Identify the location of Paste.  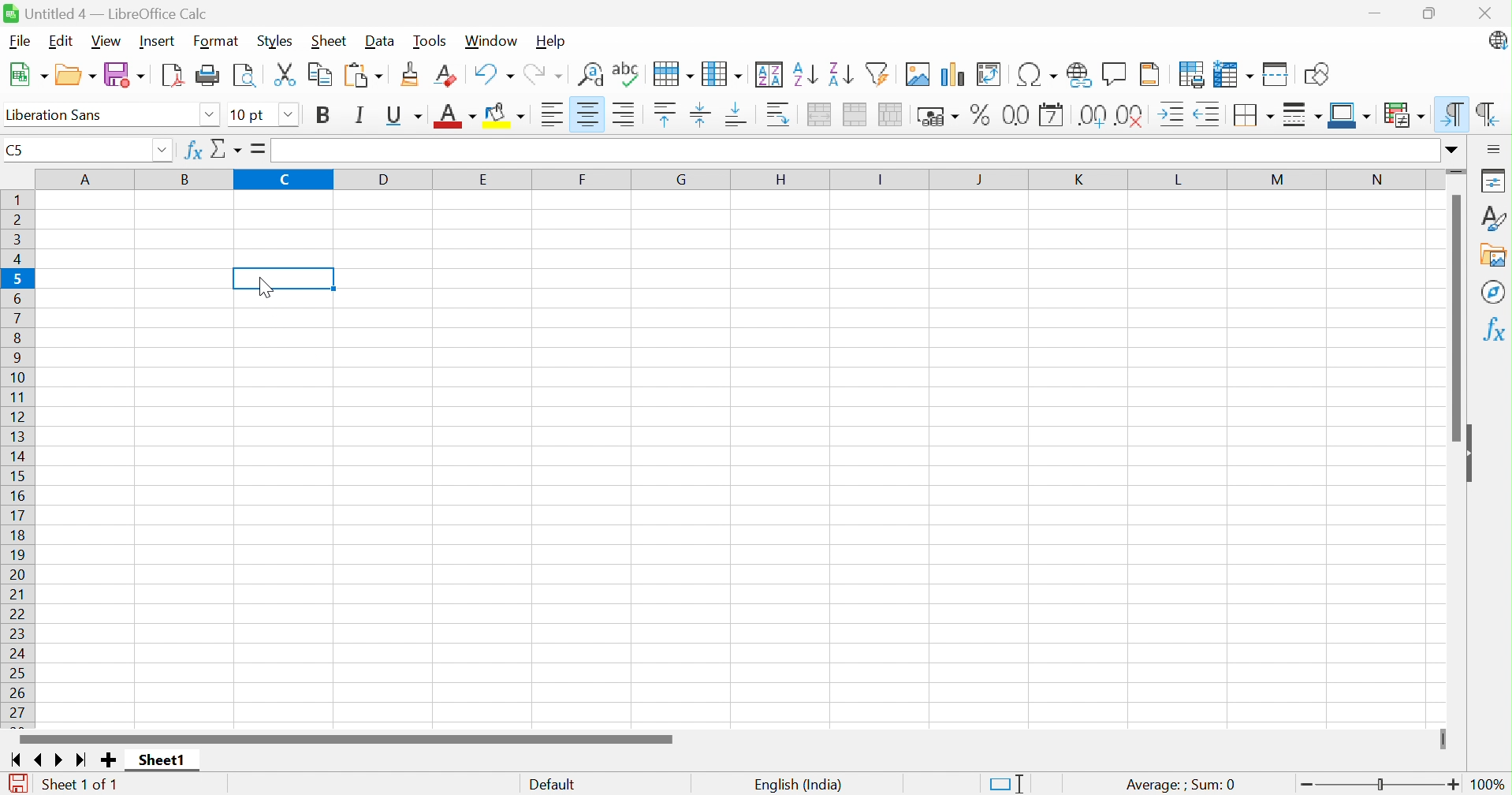
(365, 74).